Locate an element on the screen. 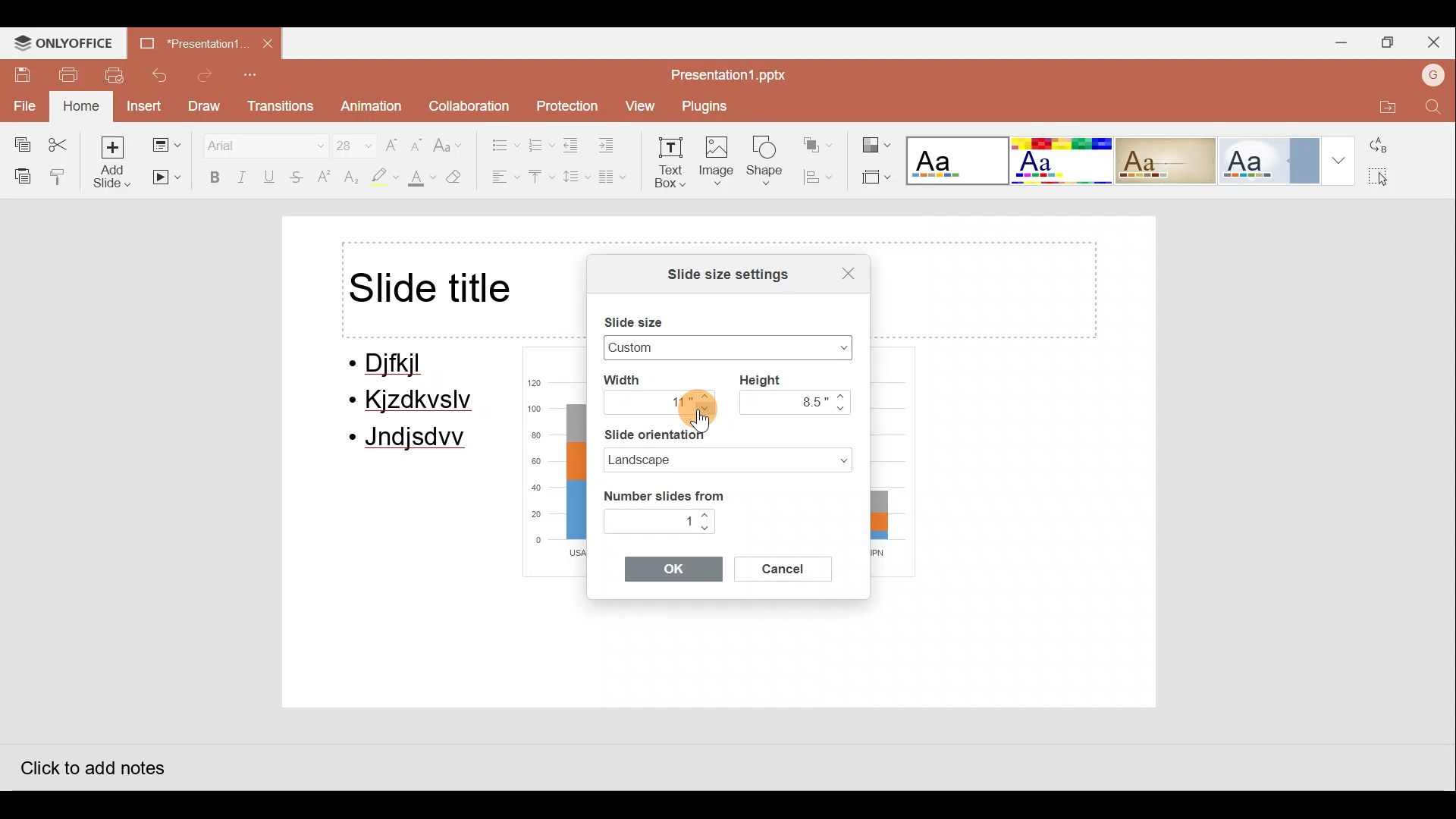  Underline is located at coordinates (272, 177).